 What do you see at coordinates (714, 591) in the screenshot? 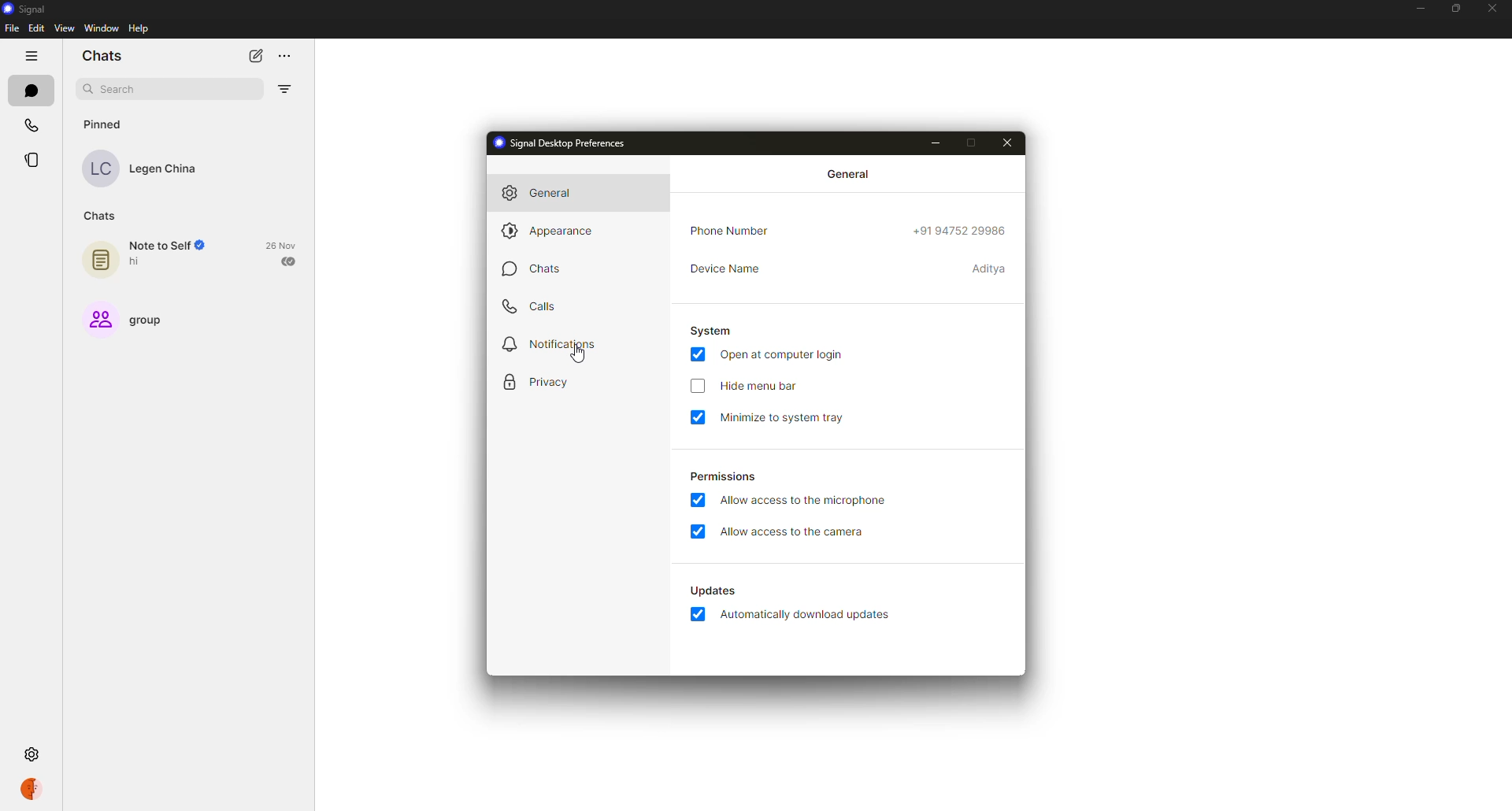
I see `automatically download updates` at bounding box center [714, 591].